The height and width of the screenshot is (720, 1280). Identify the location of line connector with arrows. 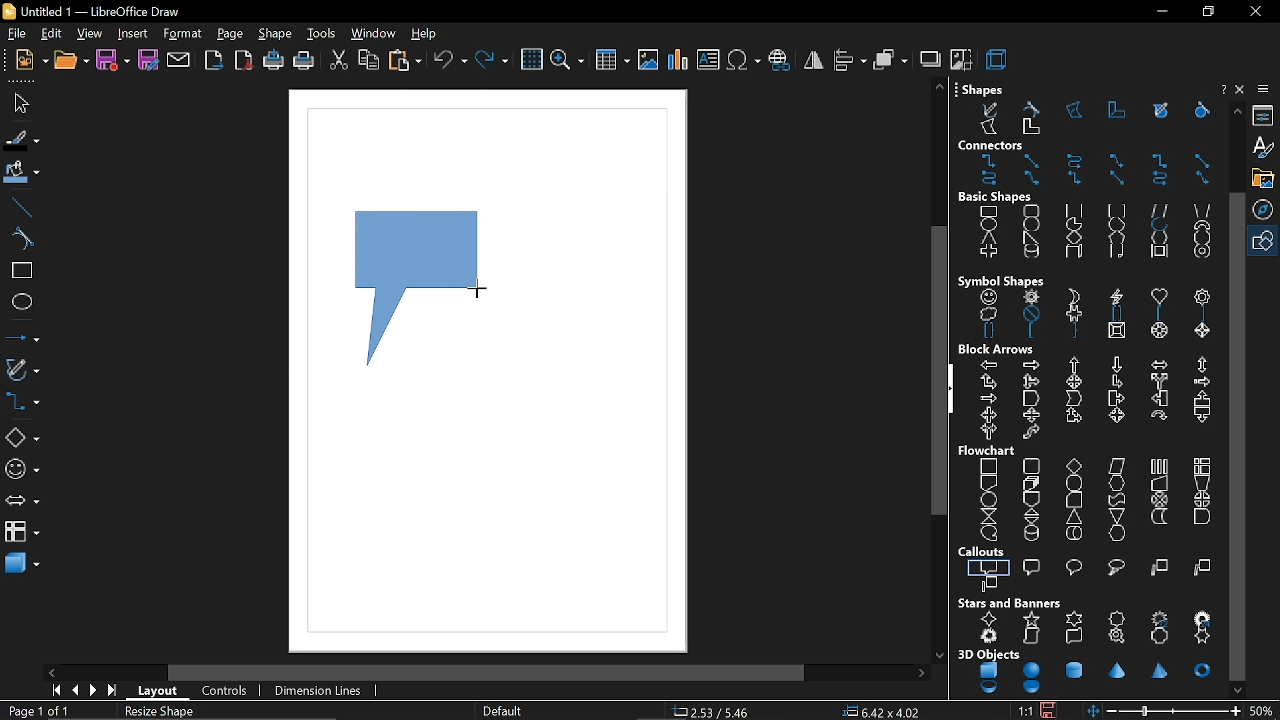
(1200, 179).